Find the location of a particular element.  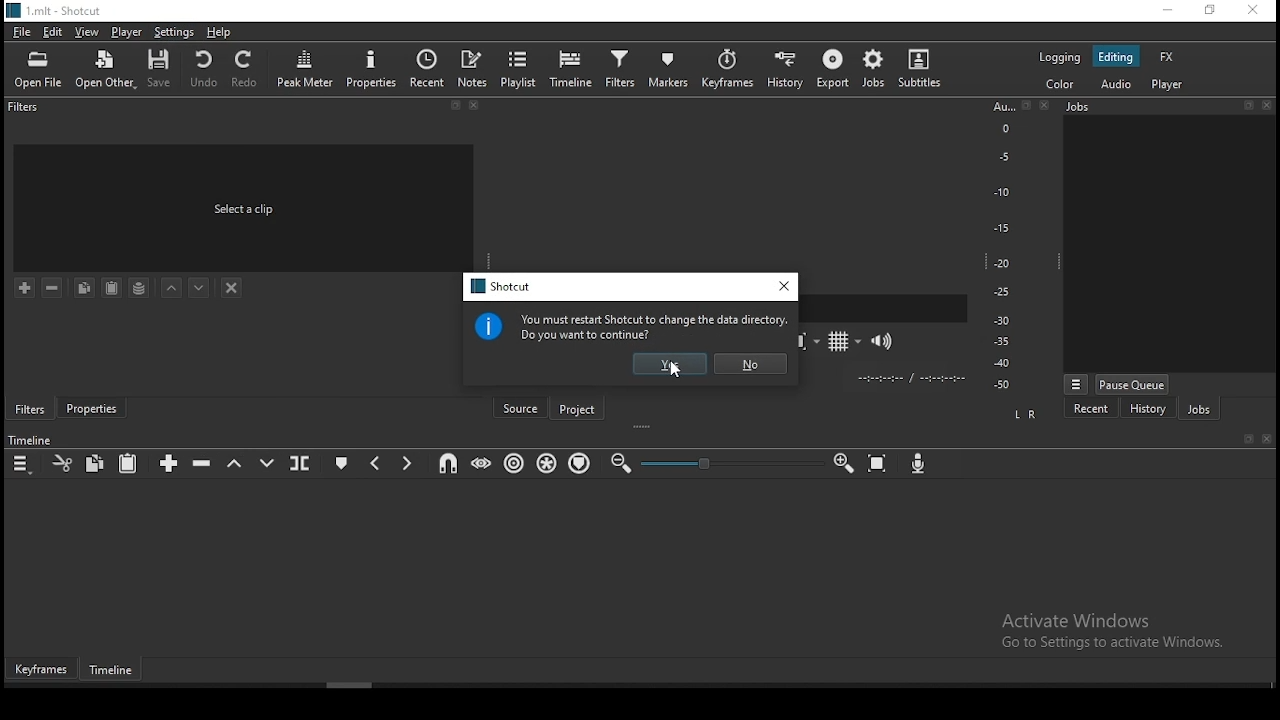

timeline is located at coordinates (571, 67).